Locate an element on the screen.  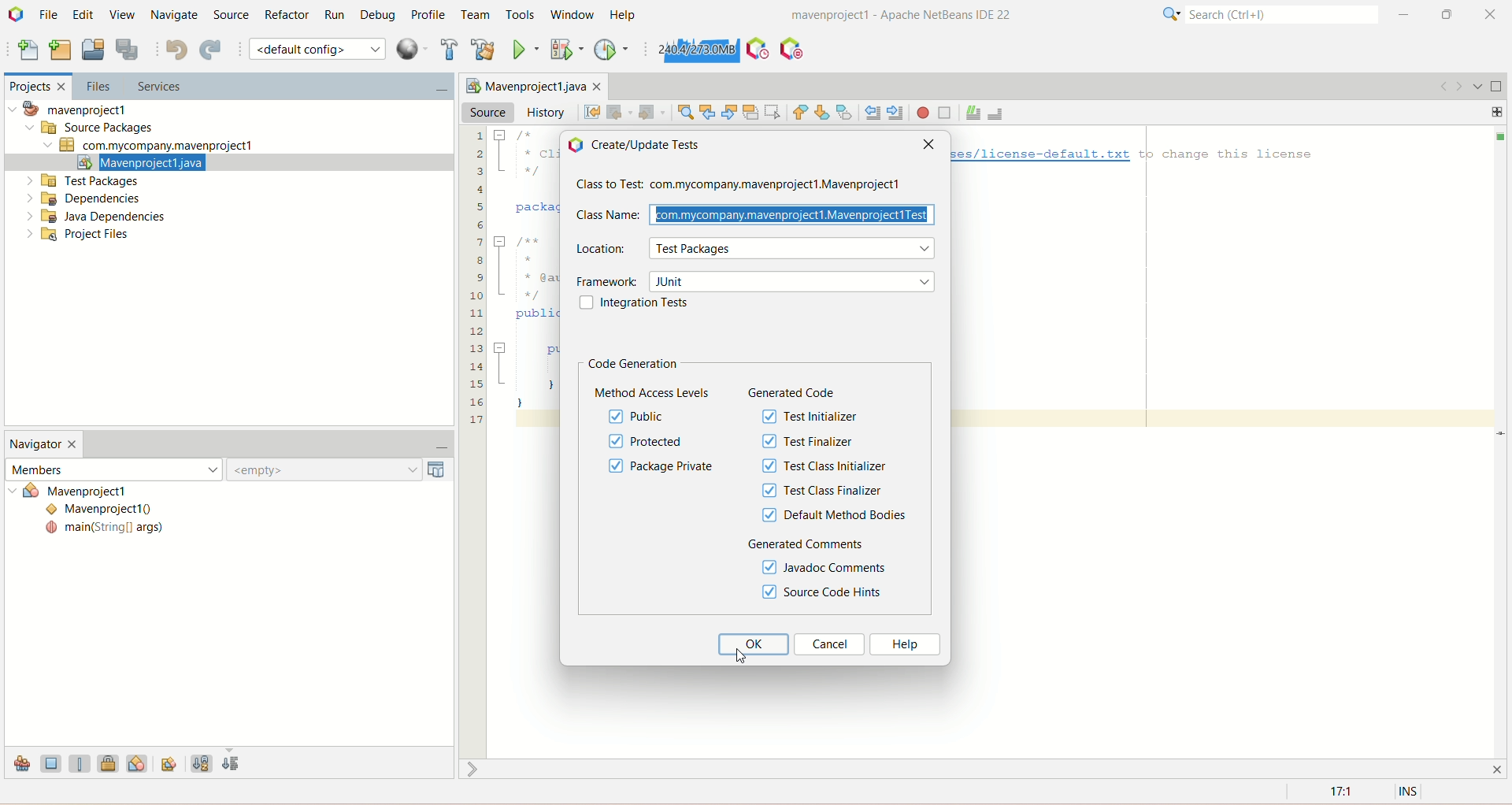
fully qualified names is located at coordinates (171, 762).